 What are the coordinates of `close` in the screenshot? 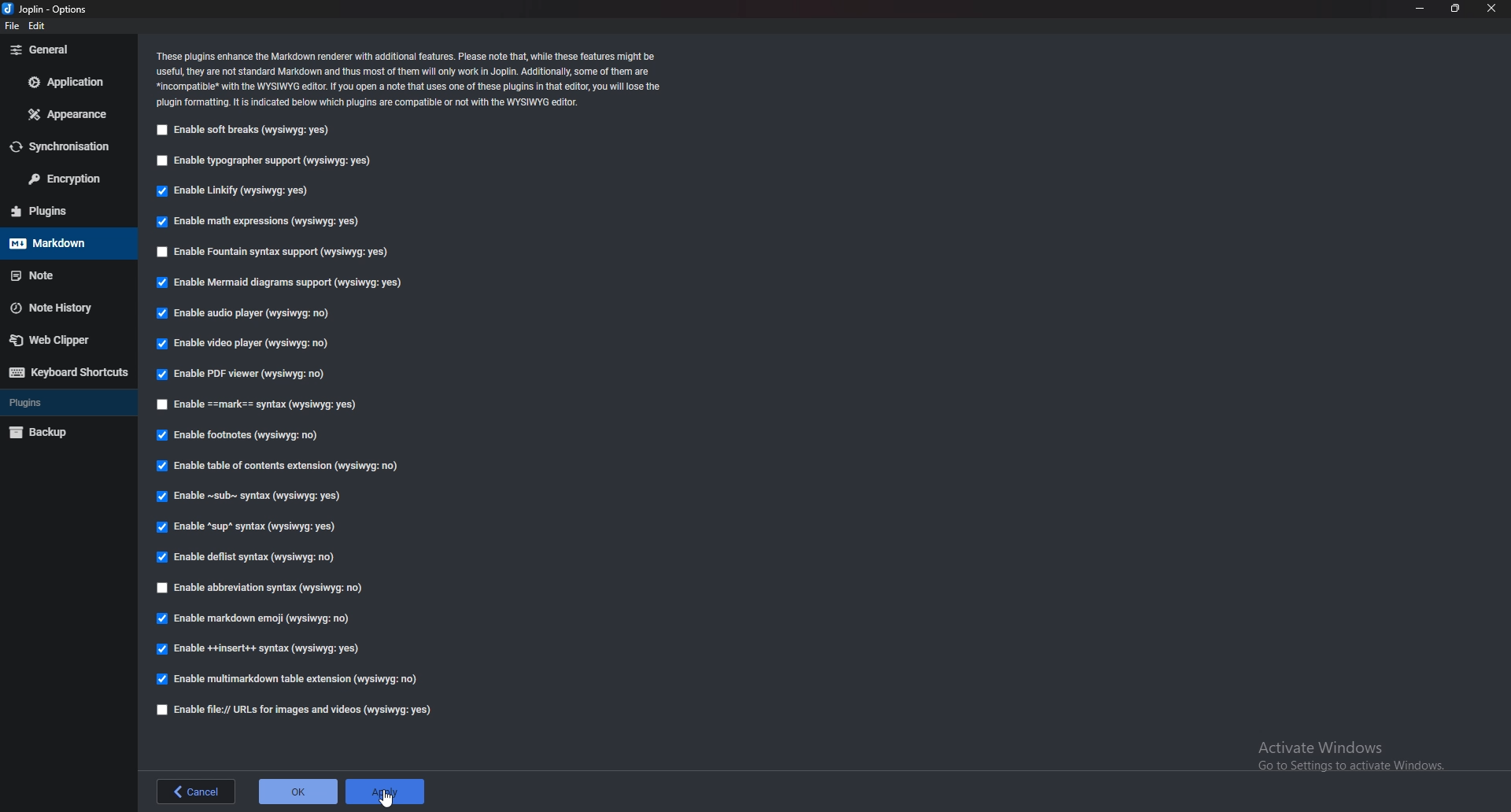 It's located at (1493, 9).